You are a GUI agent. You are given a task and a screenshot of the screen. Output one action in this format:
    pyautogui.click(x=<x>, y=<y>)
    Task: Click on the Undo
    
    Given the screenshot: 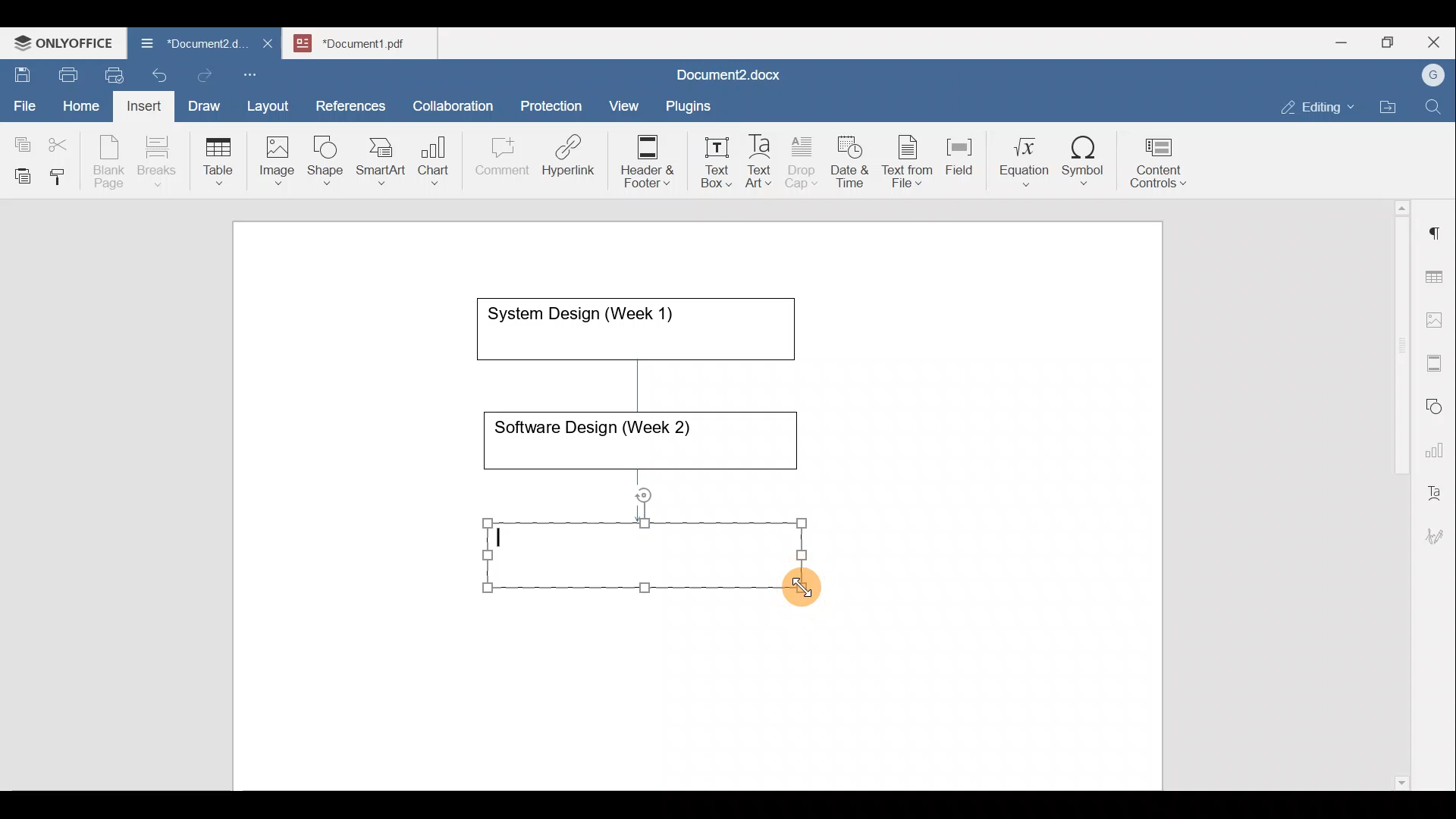 What is the action you would take?
    pyautogui.click(x=156, y=73)
    